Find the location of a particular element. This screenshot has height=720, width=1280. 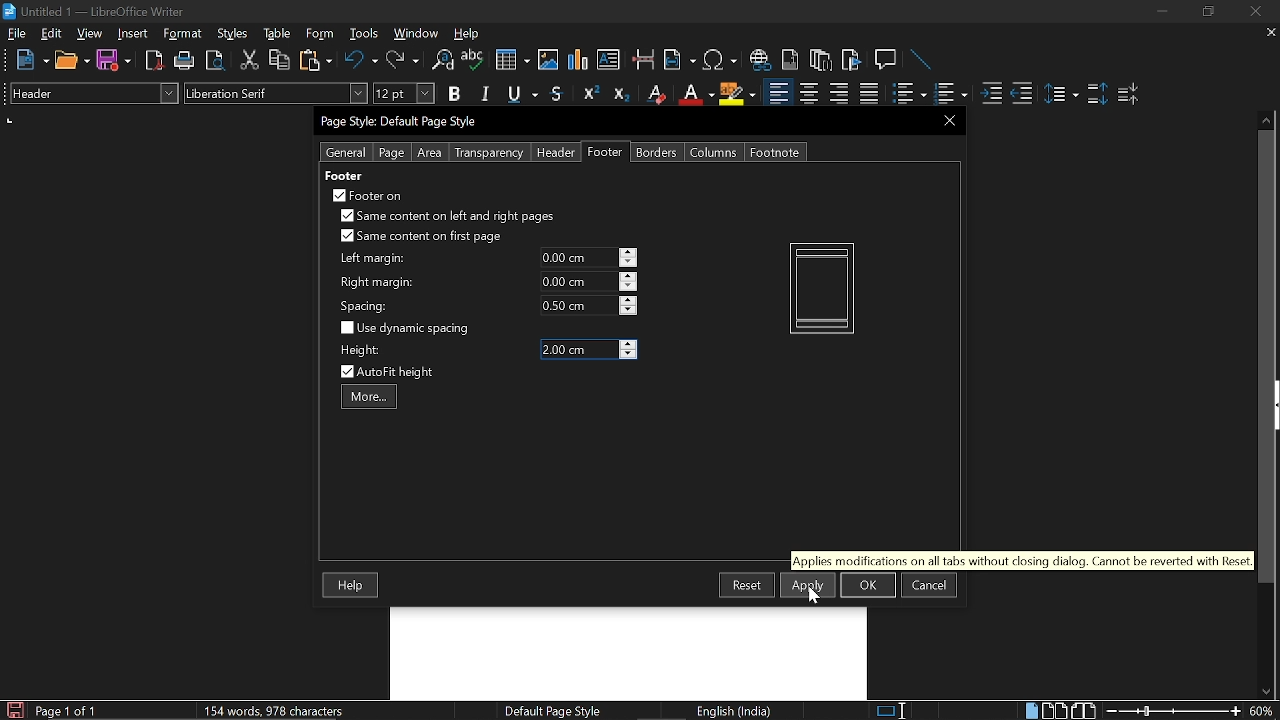

Same content on first page is located at coordinates (422, 237).